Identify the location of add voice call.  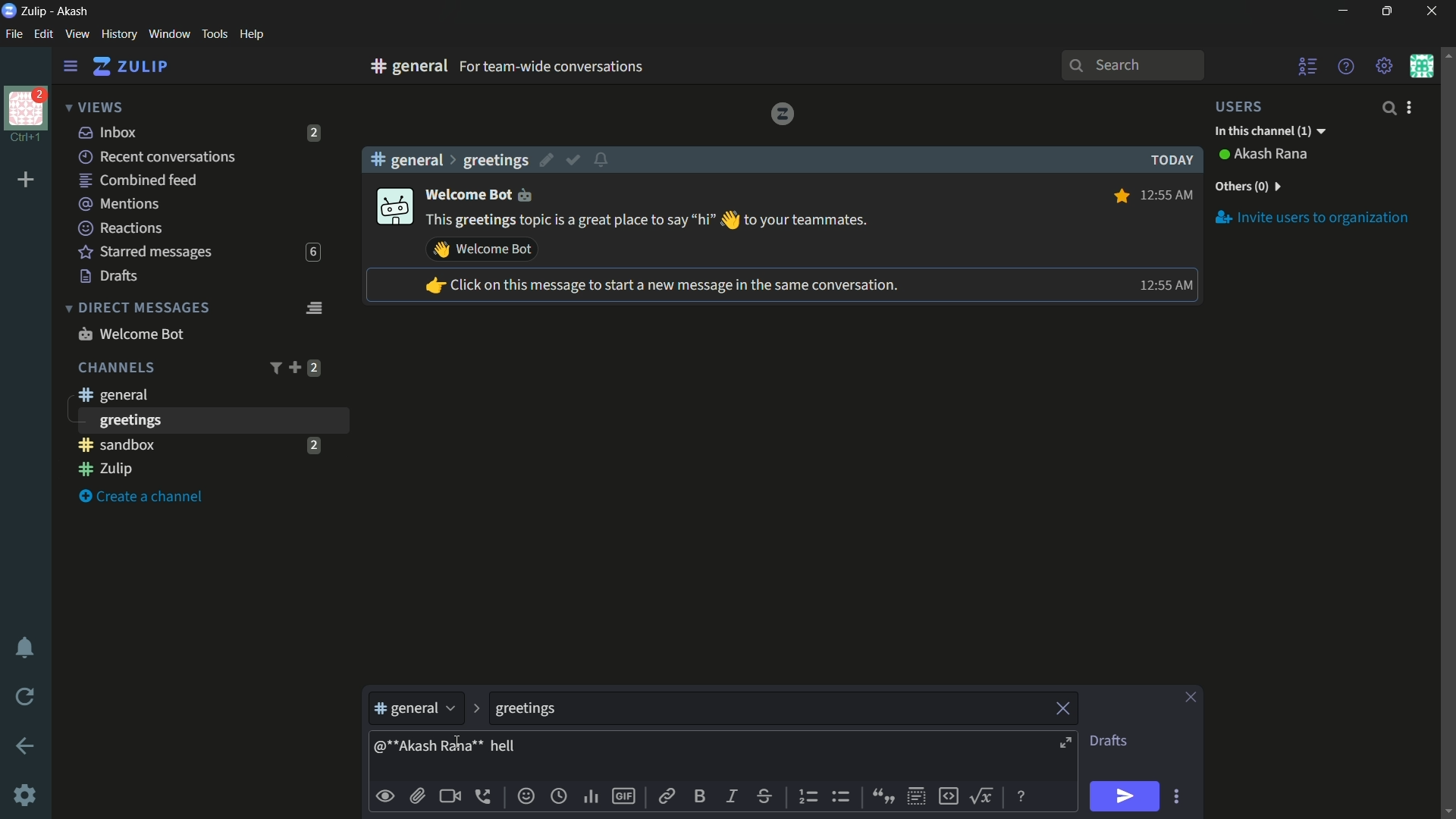
(486, 796).